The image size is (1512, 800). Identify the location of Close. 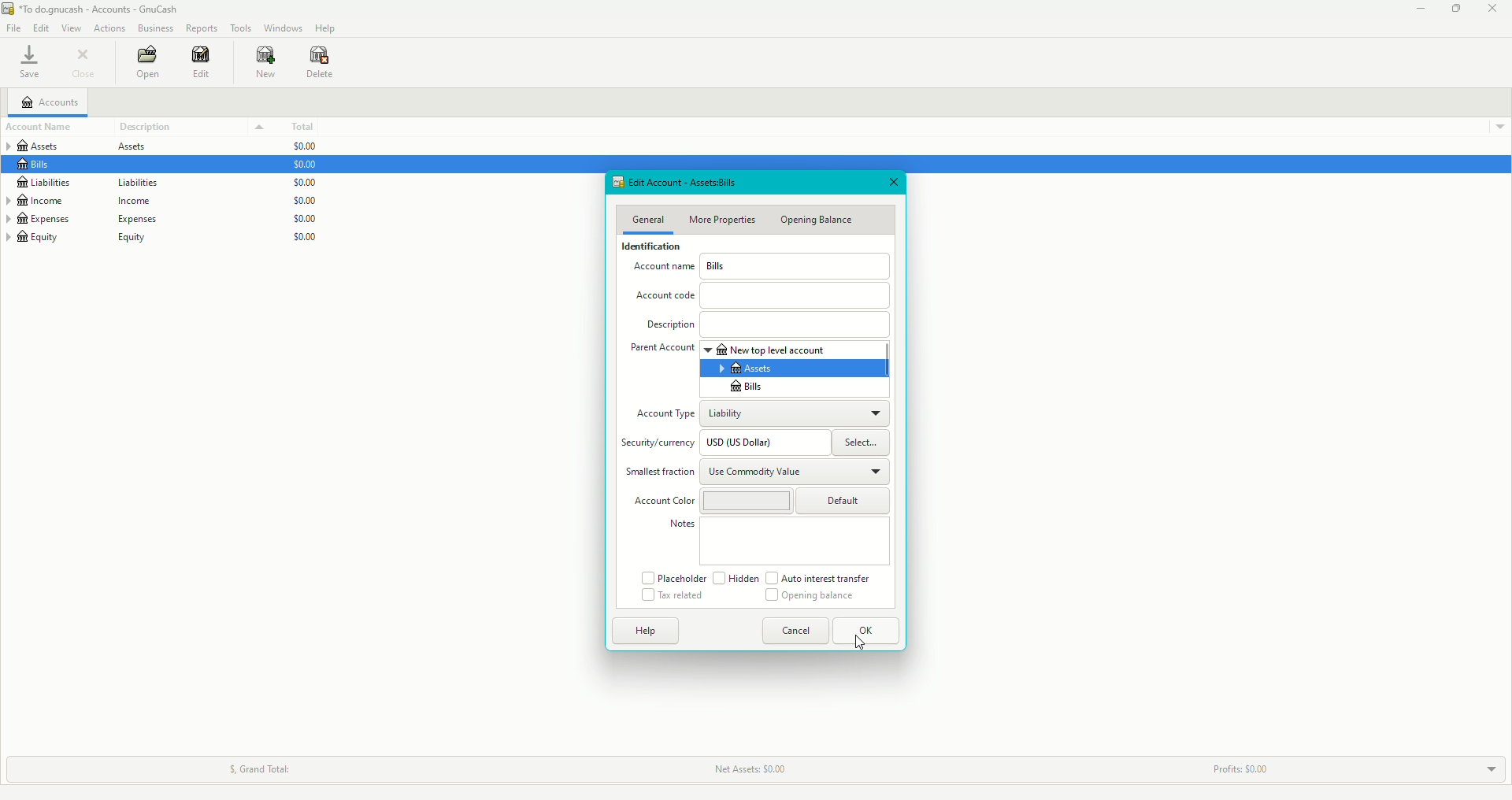
(84, 62).